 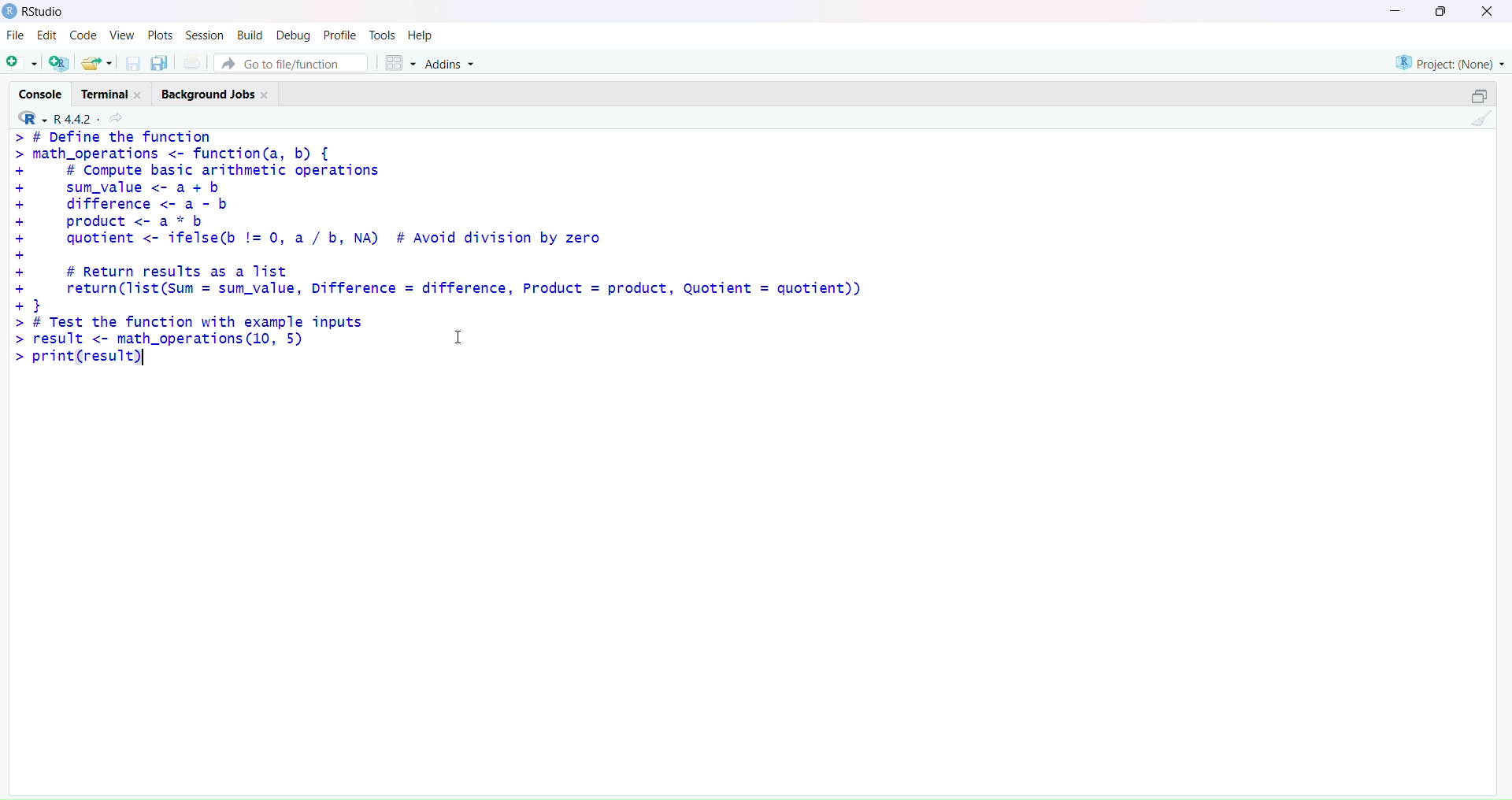 What do you see at coordinates (1449, 61) in the screenshot?
I see `Project (Note)` at bounding box center [1449, 61].